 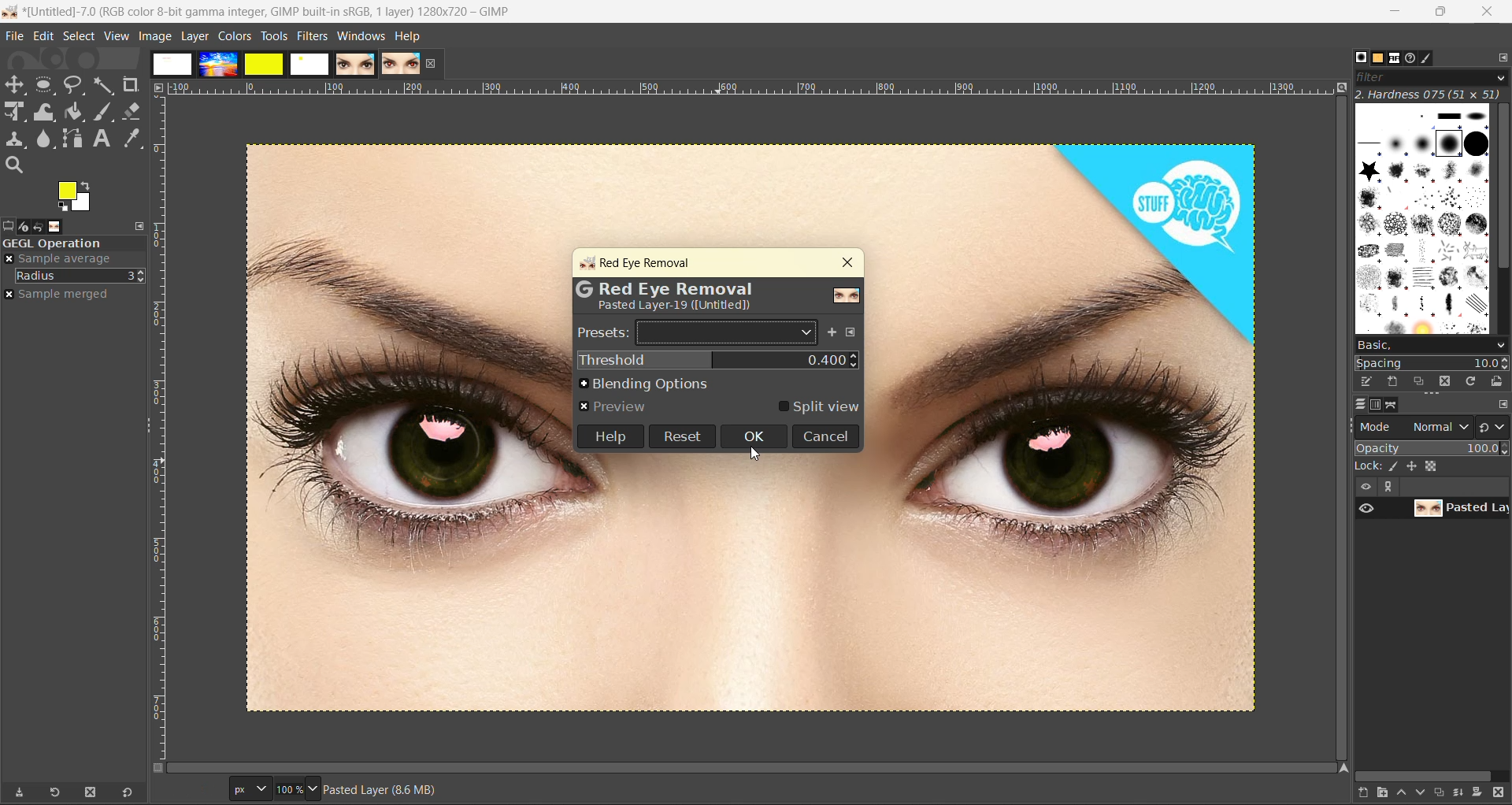 I want to click on windows, so click(x=361, y=36).